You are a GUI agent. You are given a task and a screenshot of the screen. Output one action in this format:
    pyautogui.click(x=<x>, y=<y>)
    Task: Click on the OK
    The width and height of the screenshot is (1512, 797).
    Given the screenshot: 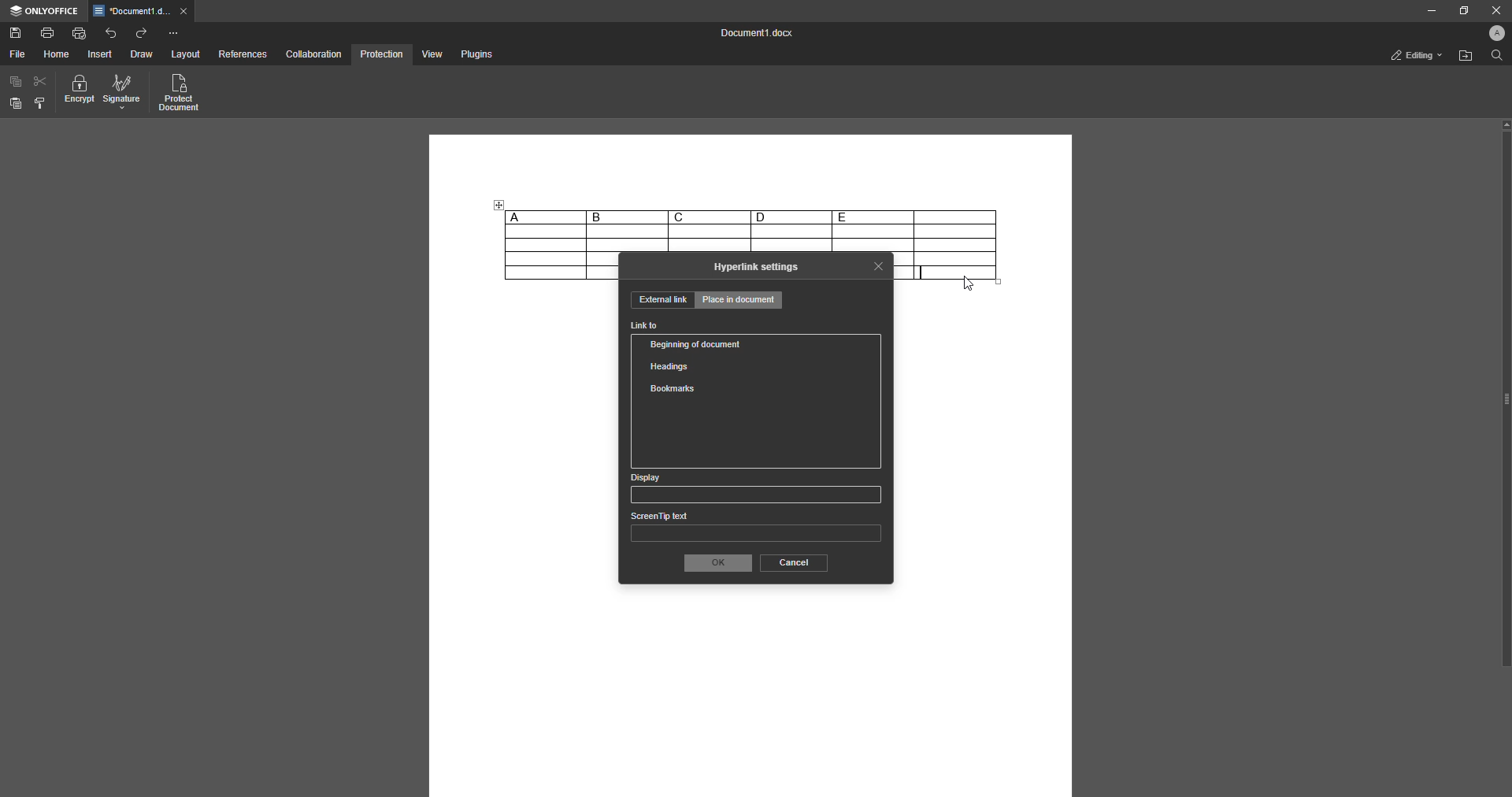 What is the action you would take?
    pyautogui.click(x=716, y=563)
    